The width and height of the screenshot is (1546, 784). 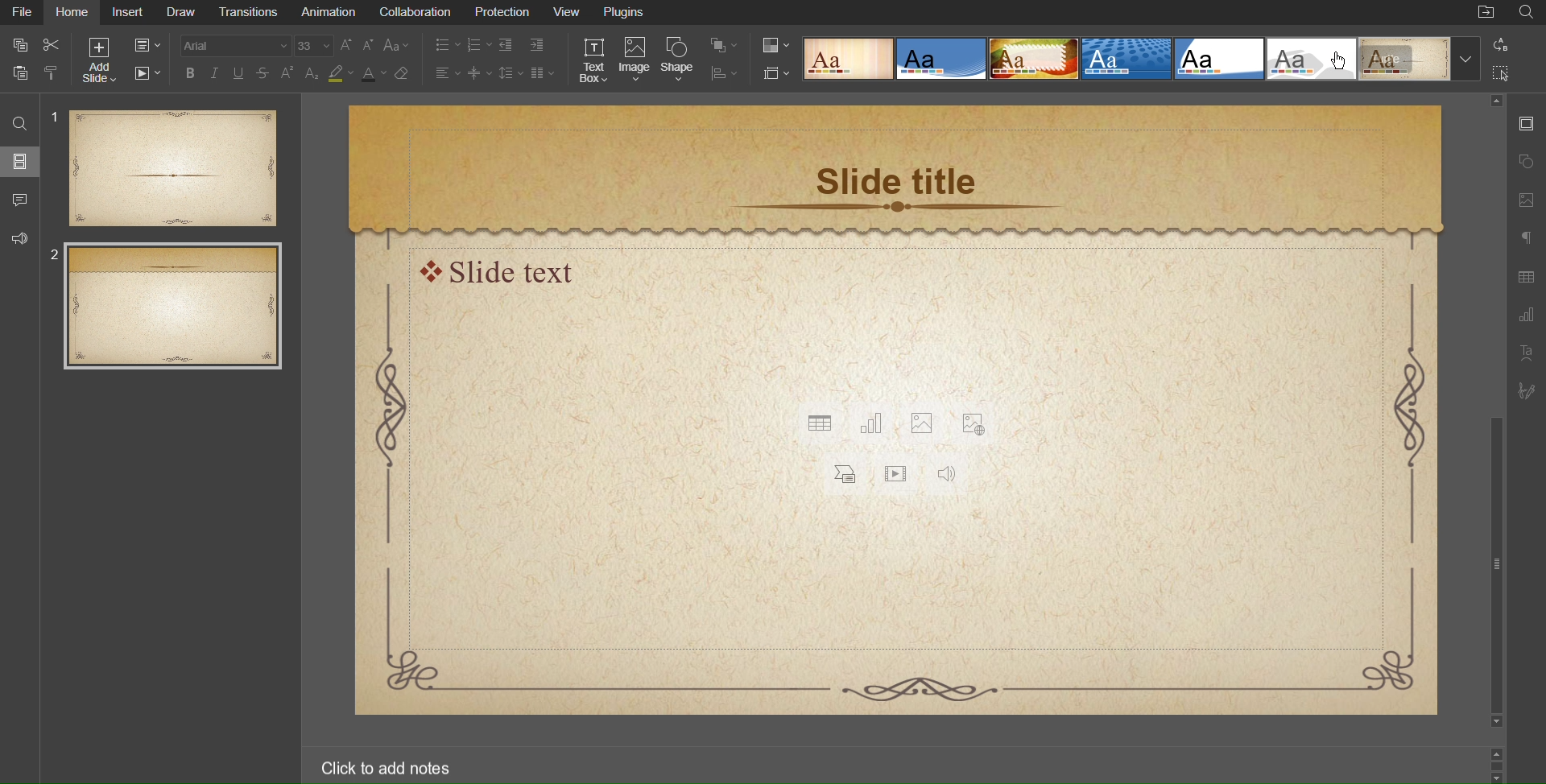 I want to click on Collaboration, so click(x=416, y=13).